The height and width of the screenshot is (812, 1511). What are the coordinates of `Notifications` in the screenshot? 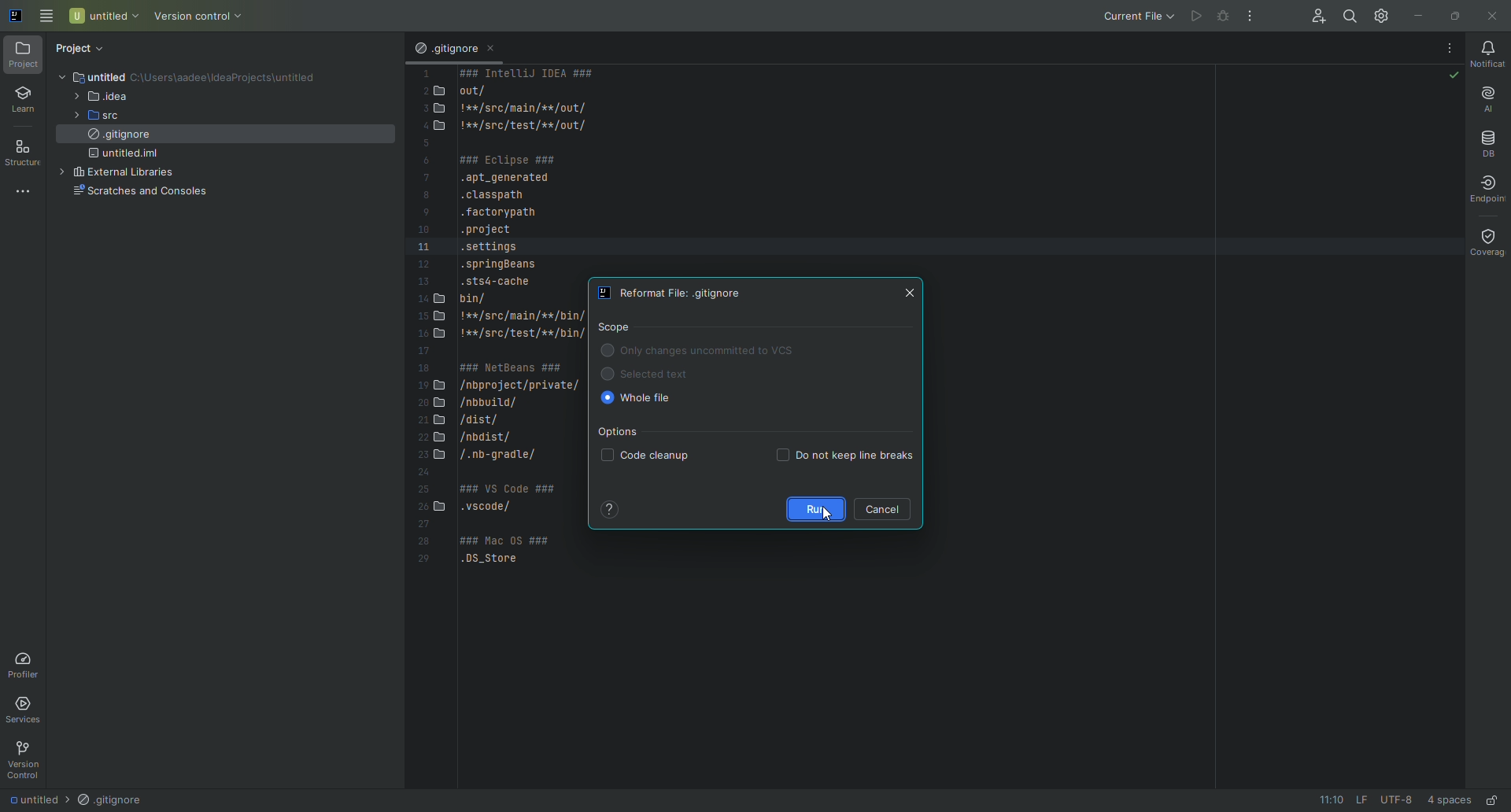 It's located at (1491, 55).